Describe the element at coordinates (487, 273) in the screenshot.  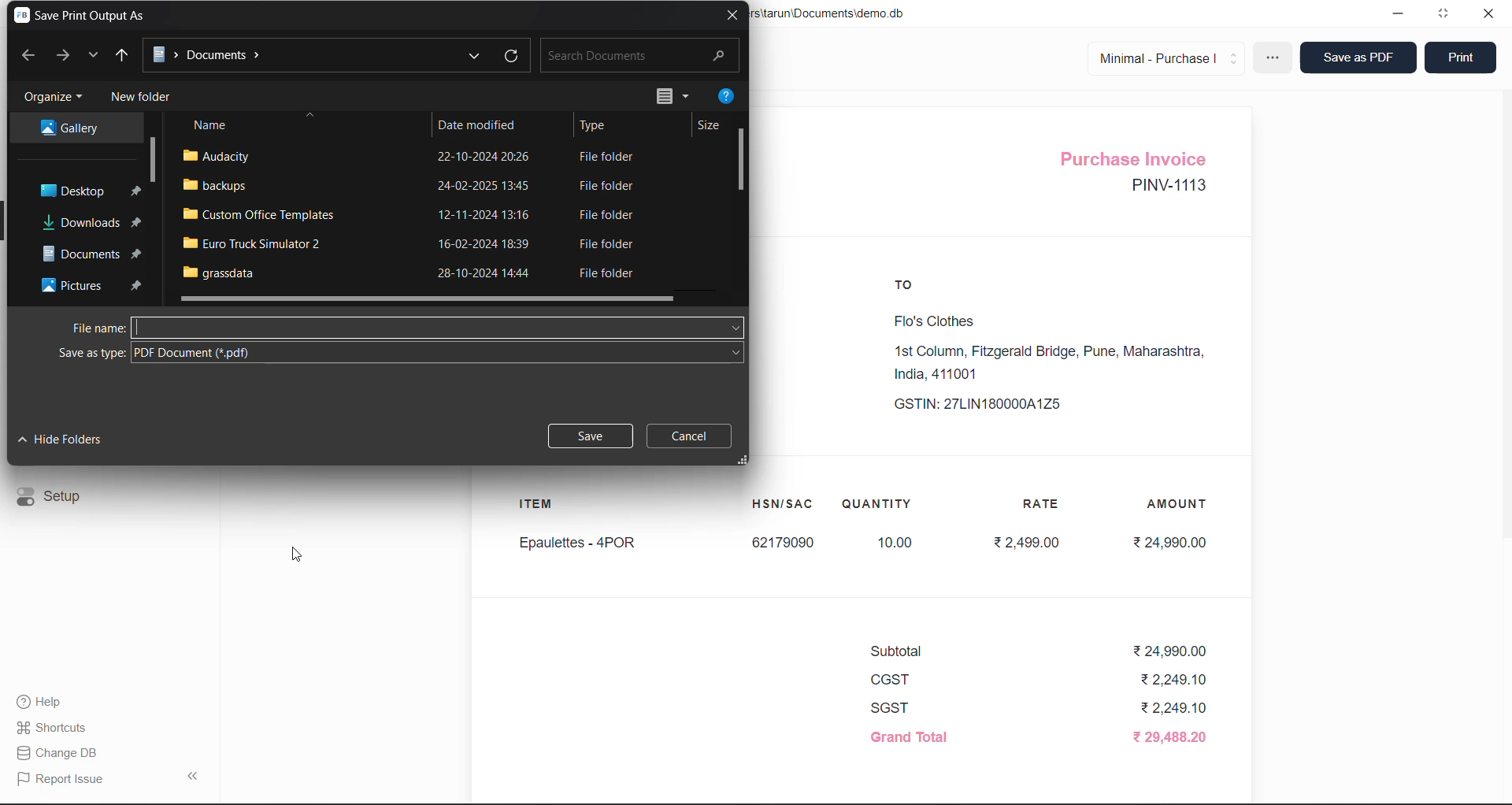
I see `28-10-2024 14:44` at that location.